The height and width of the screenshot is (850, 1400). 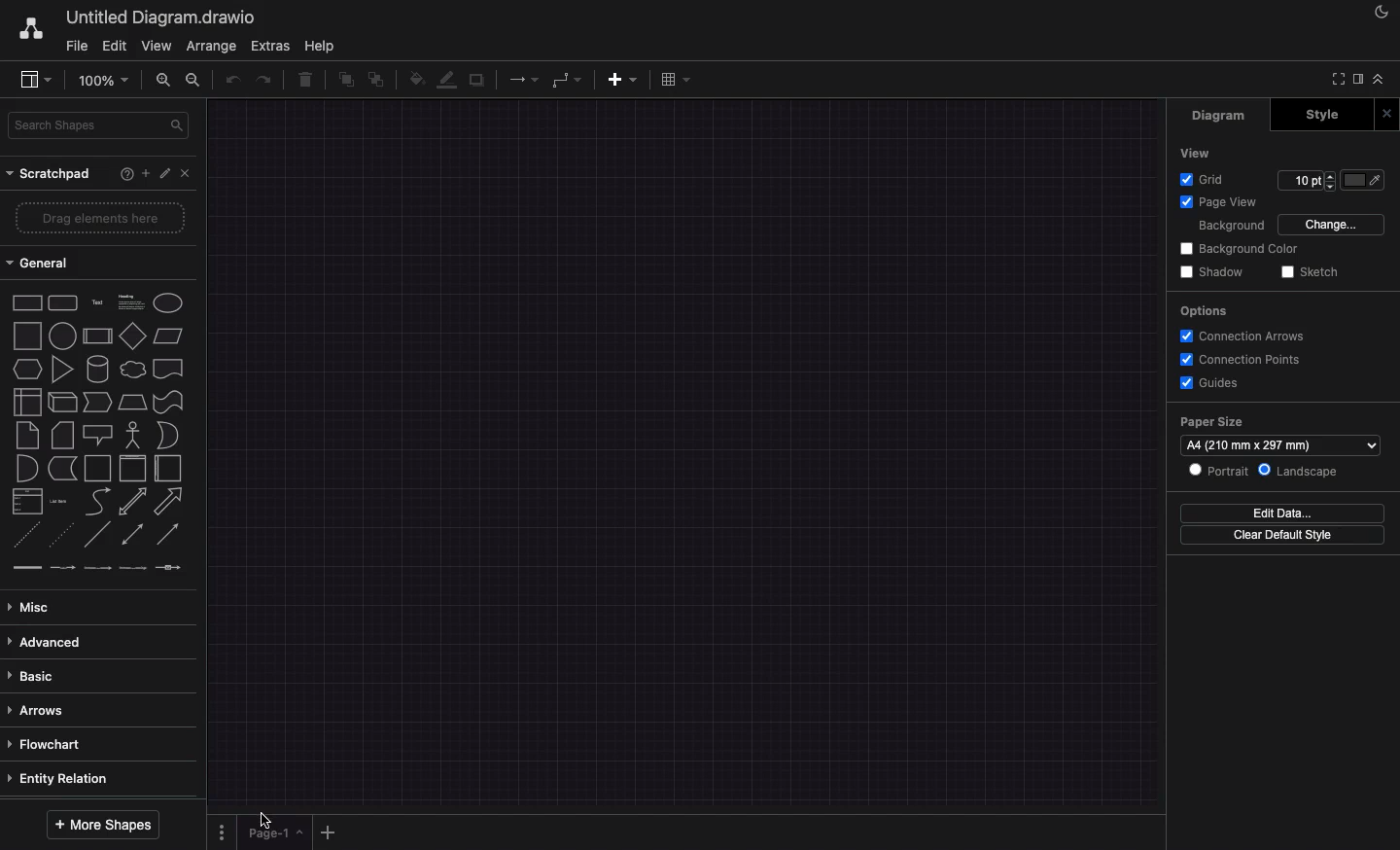 I want to click on general, so click(x=38, y=263).